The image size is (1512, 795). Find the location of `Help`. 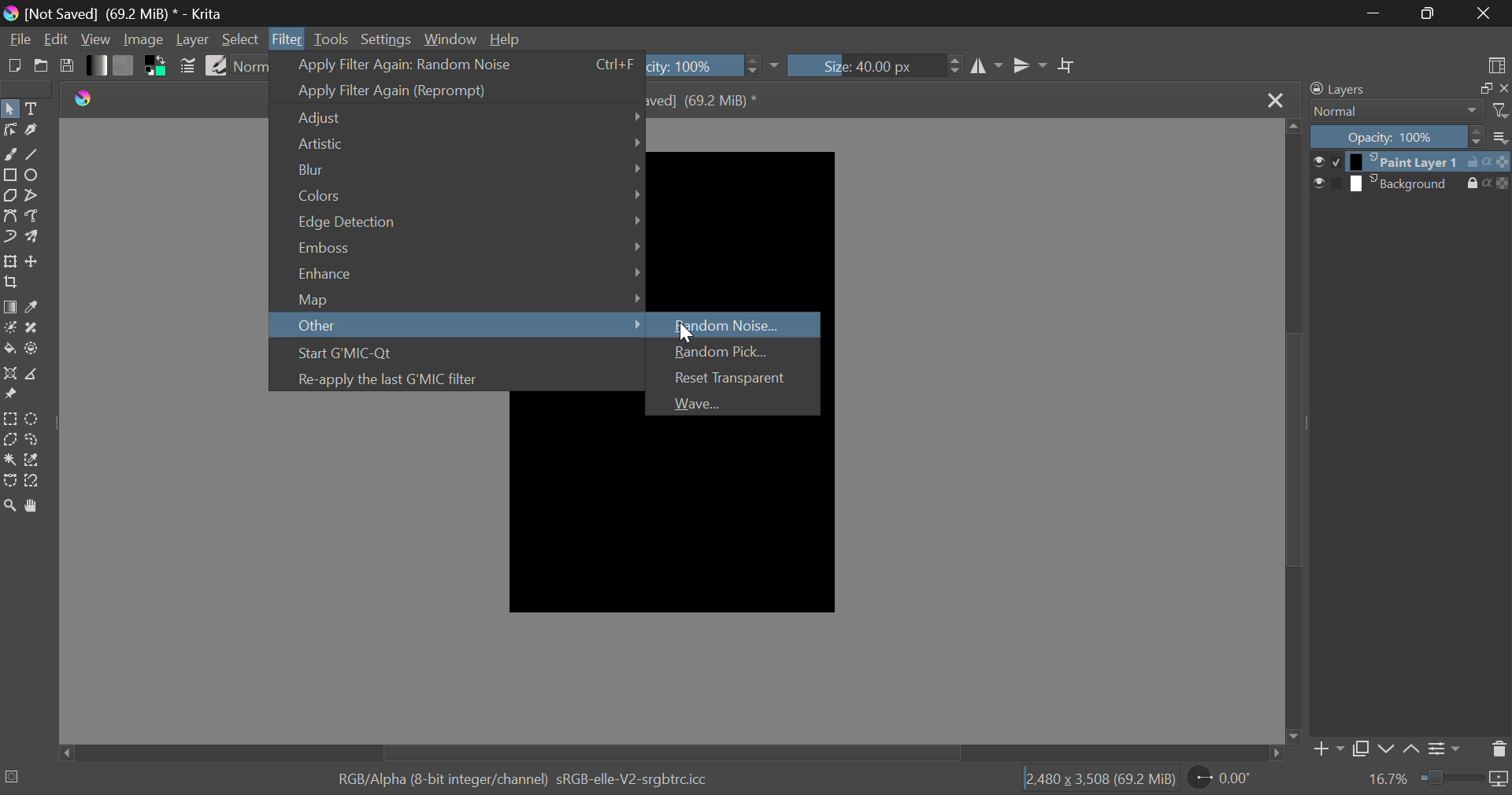

Help is located at coordinates (504, 40).